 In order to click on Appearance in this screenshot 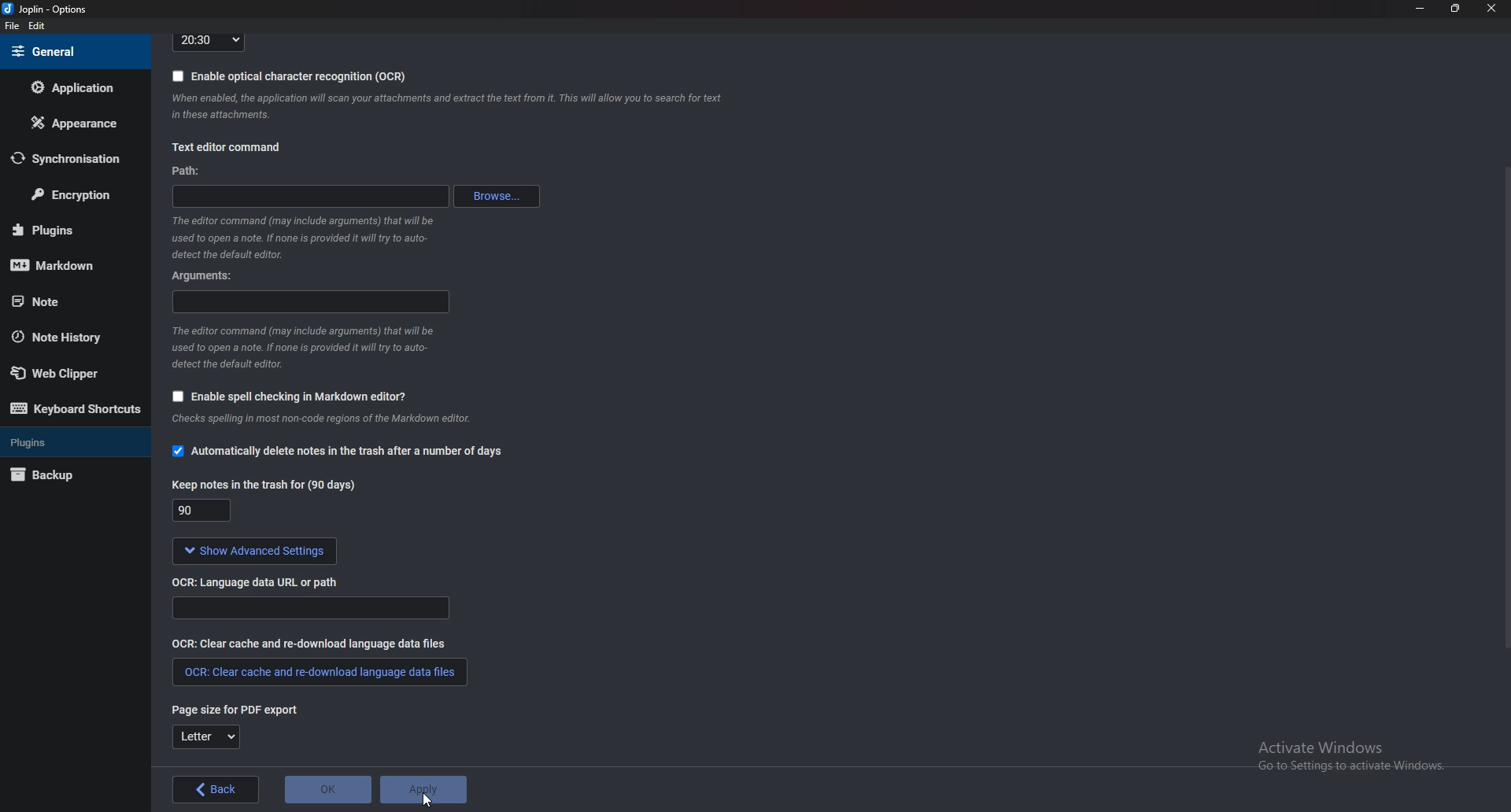, I will do `click(72, 123)`.